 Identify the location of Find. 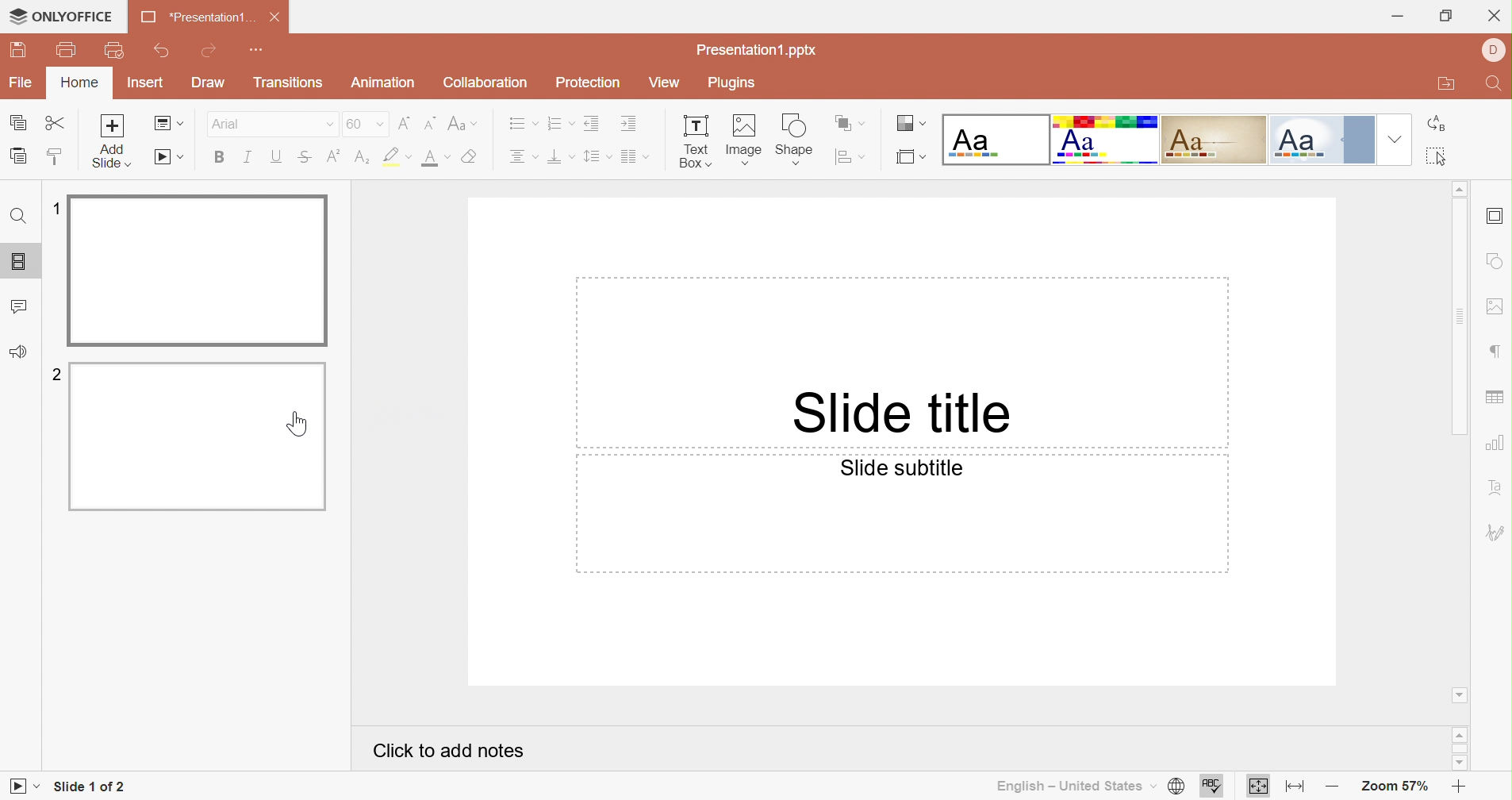
(21, 217).